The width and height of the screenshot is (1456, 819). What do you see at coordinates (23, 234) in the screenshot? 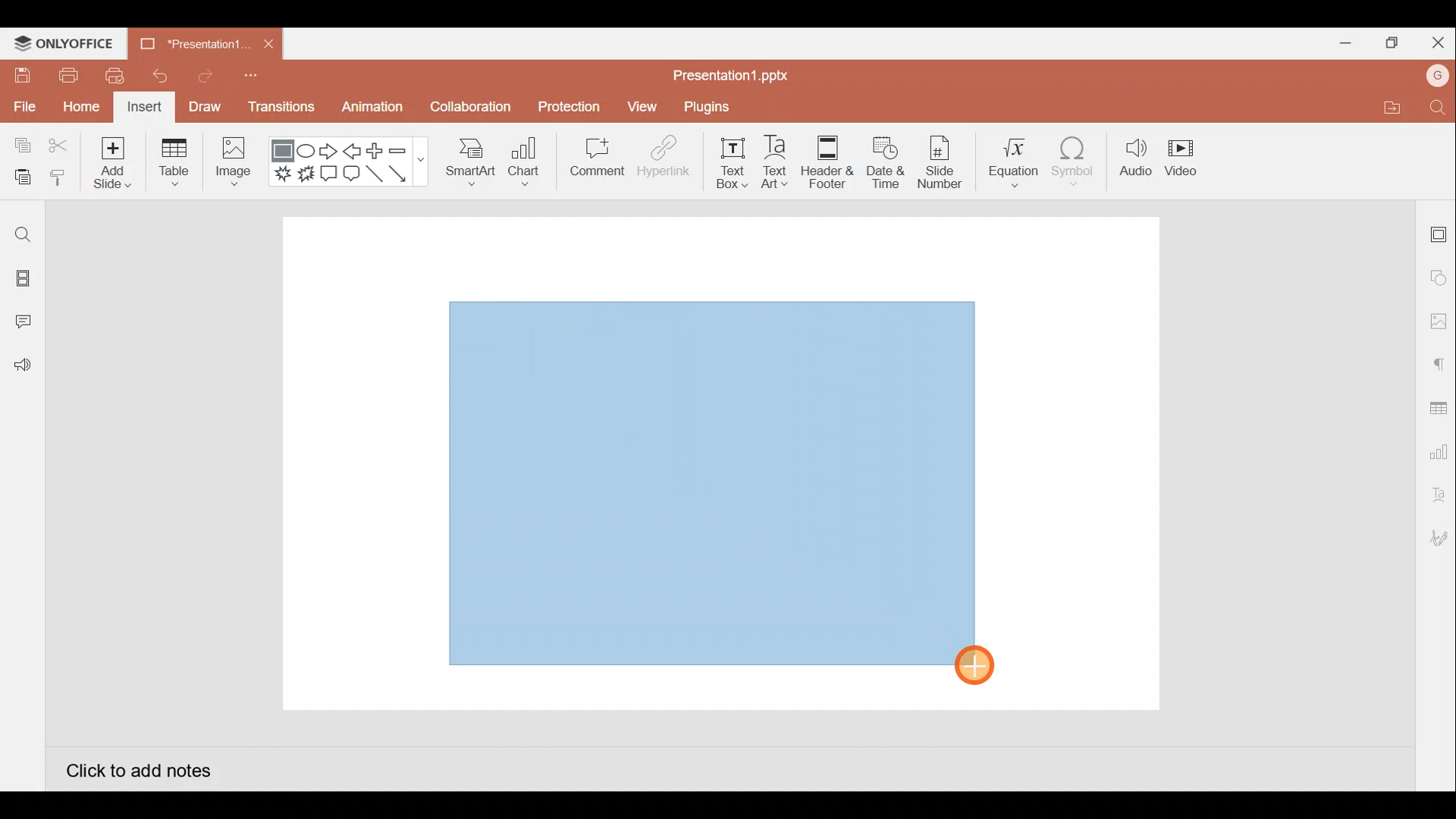
I see `Find` at bounding box center [23, 234].